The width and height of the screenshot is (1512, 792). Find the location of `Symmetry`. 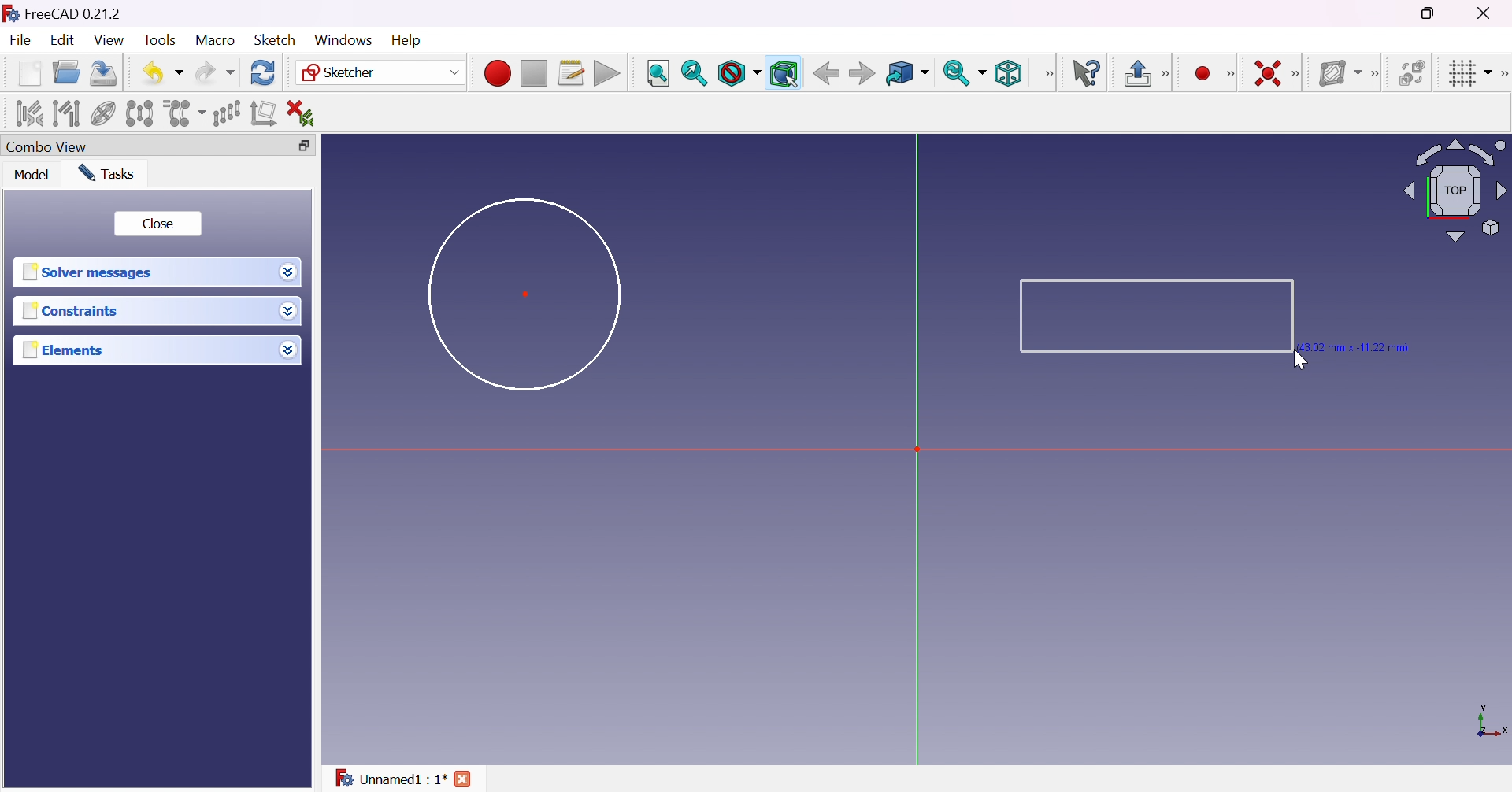

Symmetry is located at coordinates (140, 113).